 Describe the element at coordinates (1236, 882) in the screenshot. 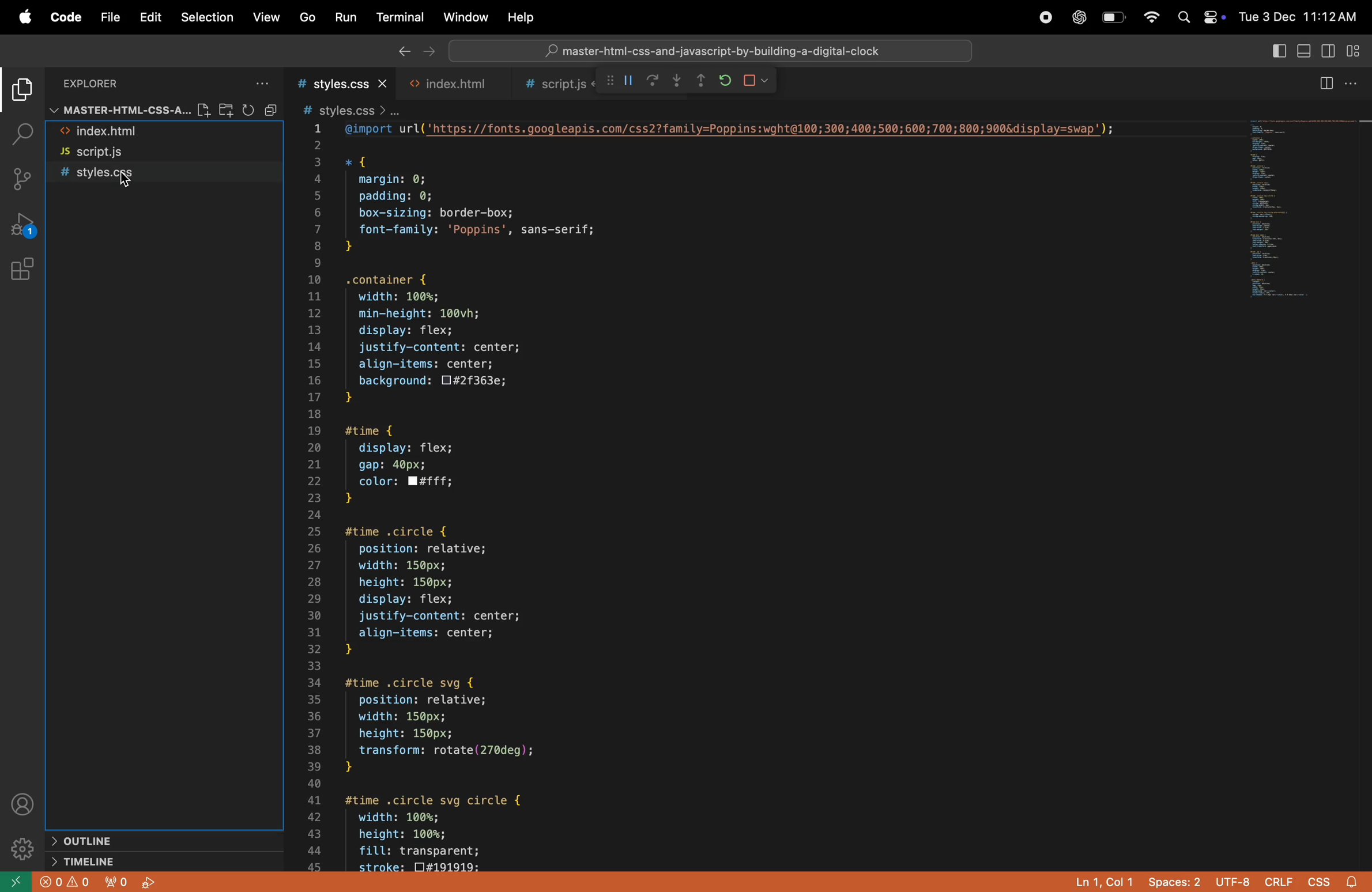

I see `utf 8` at that location.